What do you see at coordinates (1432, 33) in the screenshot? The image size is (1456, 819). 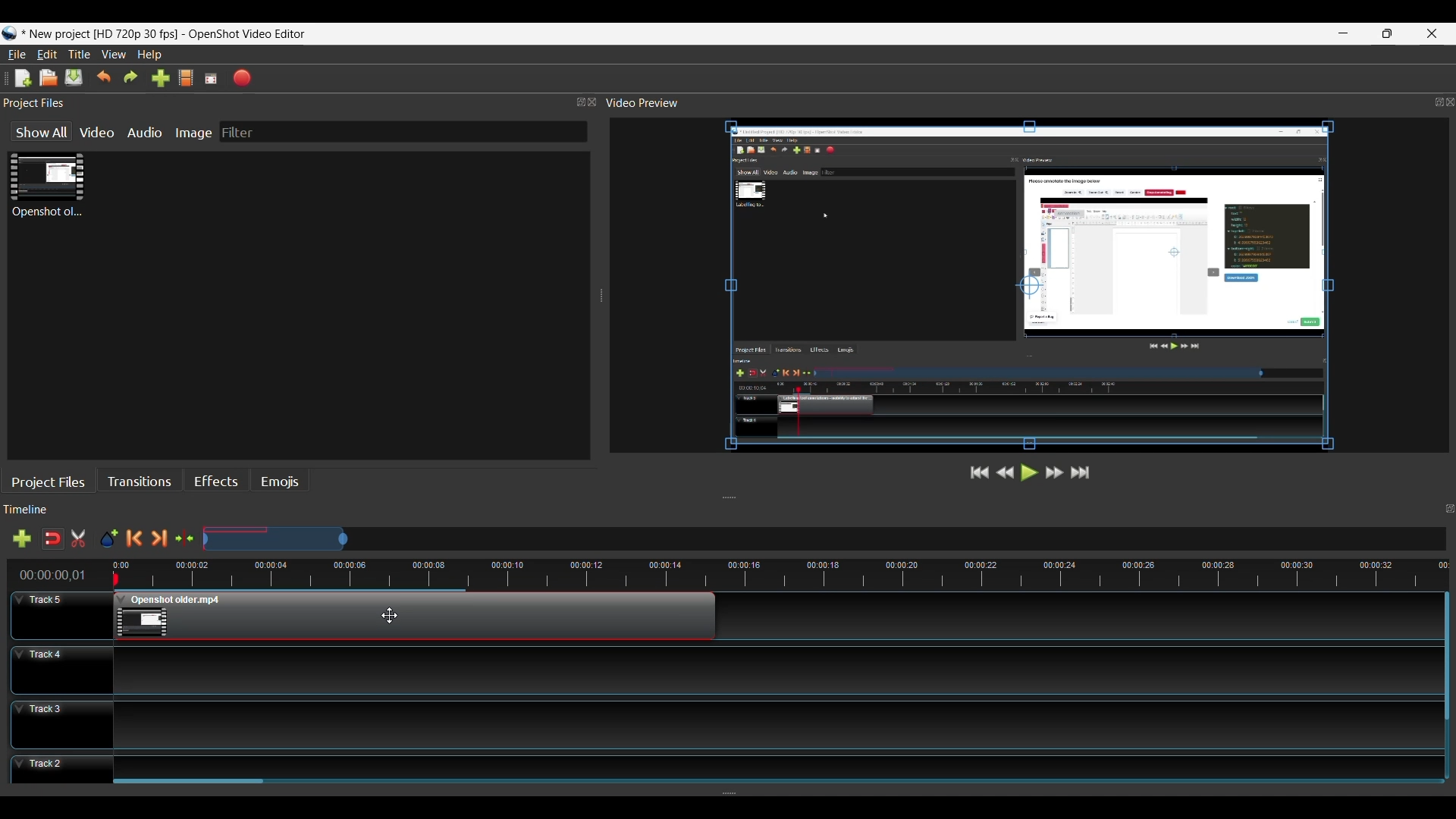 I see `Close` at bounding box center [1432, 33].